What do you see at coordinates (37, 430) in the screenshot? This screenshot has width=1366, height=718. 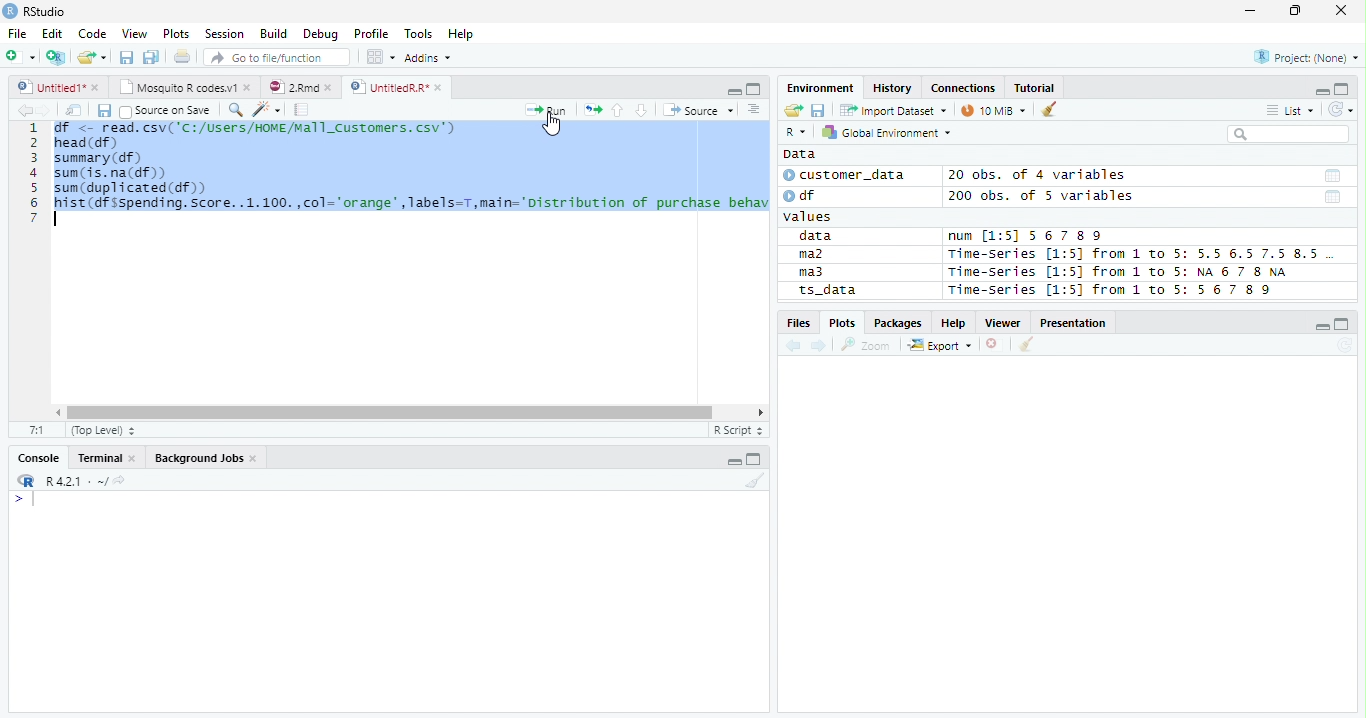 I see `1:1` at bounding box center [37, 430].